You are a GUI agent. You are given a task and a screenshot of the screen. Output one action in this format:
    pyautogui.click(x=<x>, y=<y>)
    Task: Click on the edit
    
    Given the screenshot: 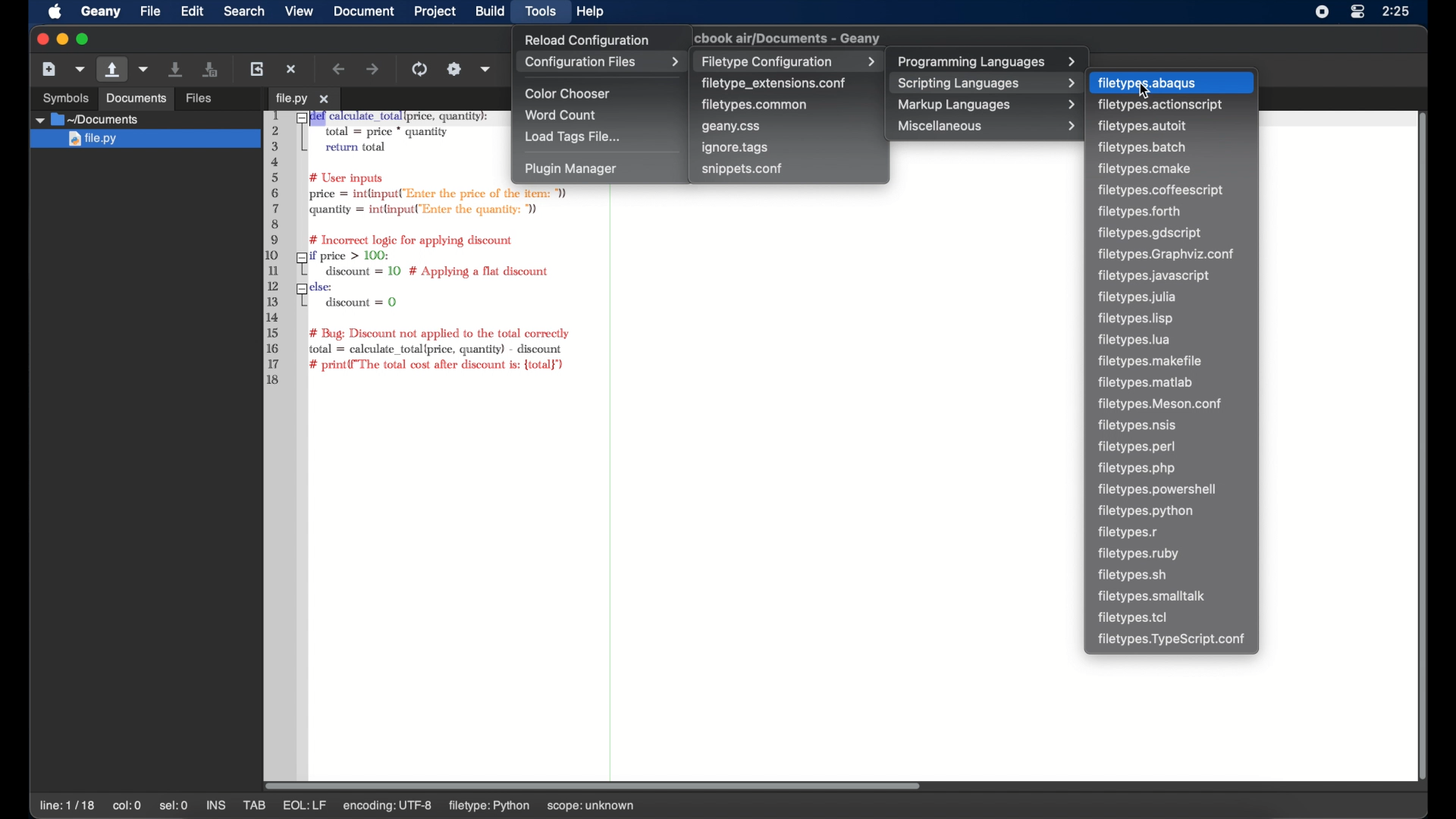 What is the action you would take?
    pyautogui.click(x=193, y=11)
    